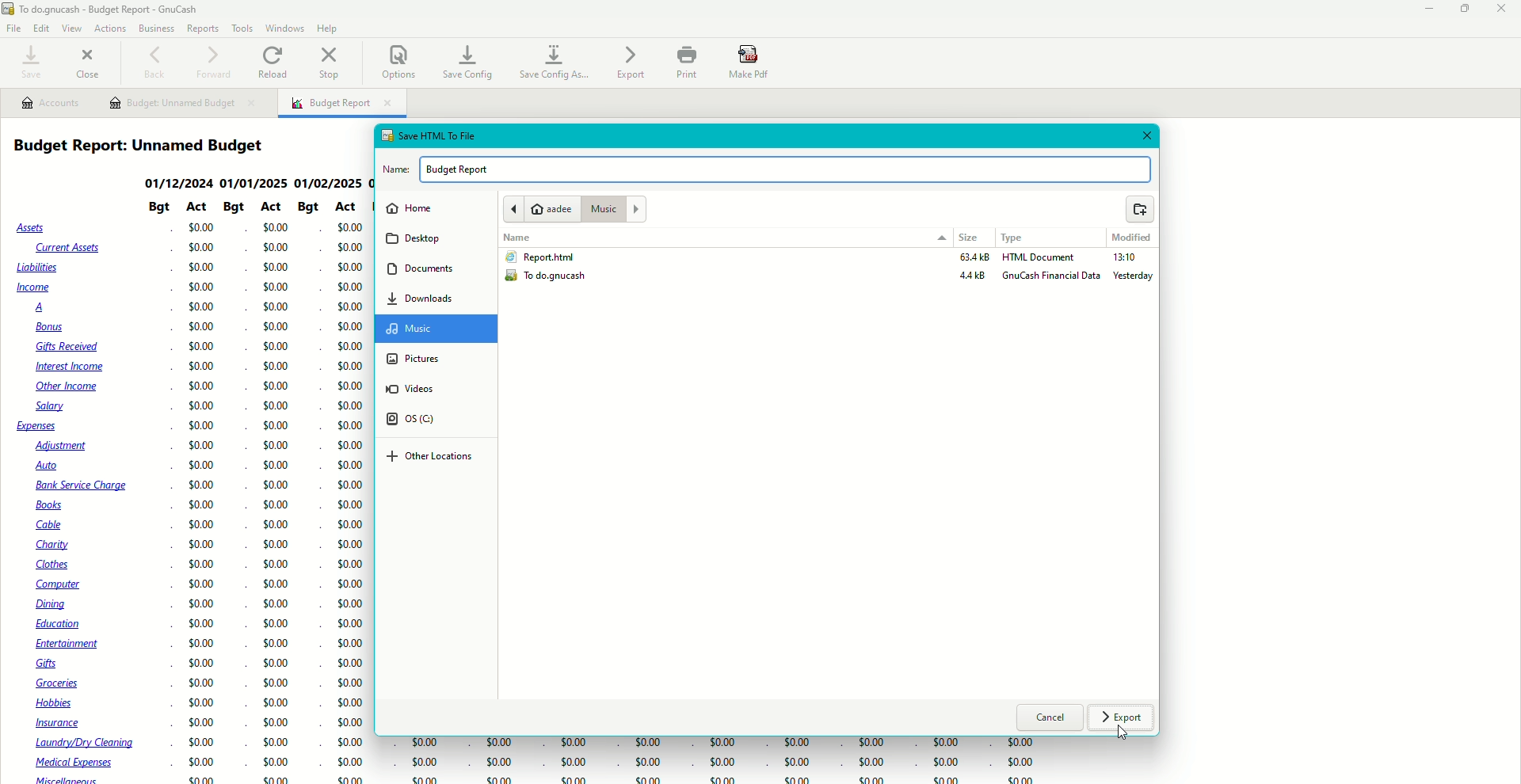 The width and height of the screenshot is (1521, 784). Describe the element at coordinates (342, 105) in the screenshot. I see `Budget Report` at that location.